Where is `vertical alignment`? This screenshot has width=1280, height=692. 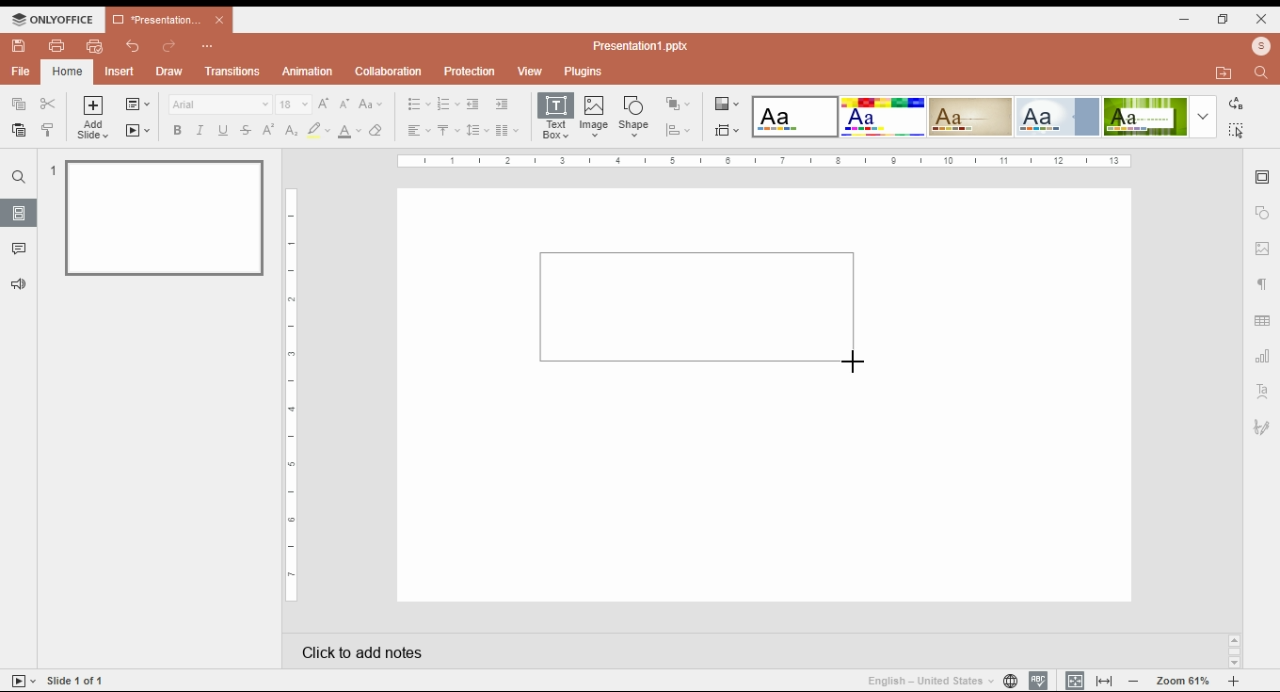
vertical alignment is located at coordinates (448, 131).